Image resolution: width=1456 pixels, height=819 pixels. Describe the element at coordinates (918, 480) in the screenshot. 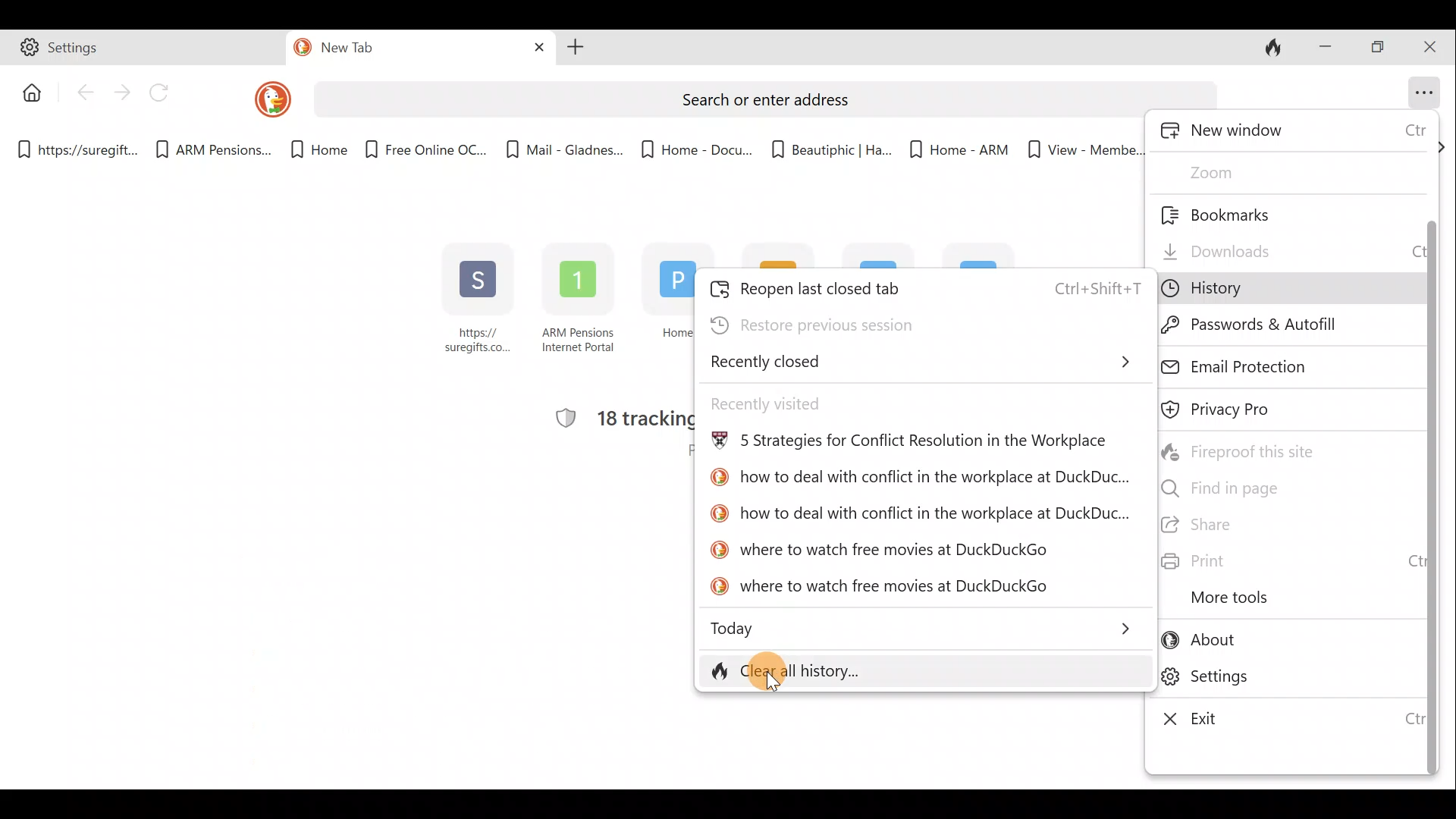

I see `how to deal with conflict in the workplace at DuckDuc...` at that location.